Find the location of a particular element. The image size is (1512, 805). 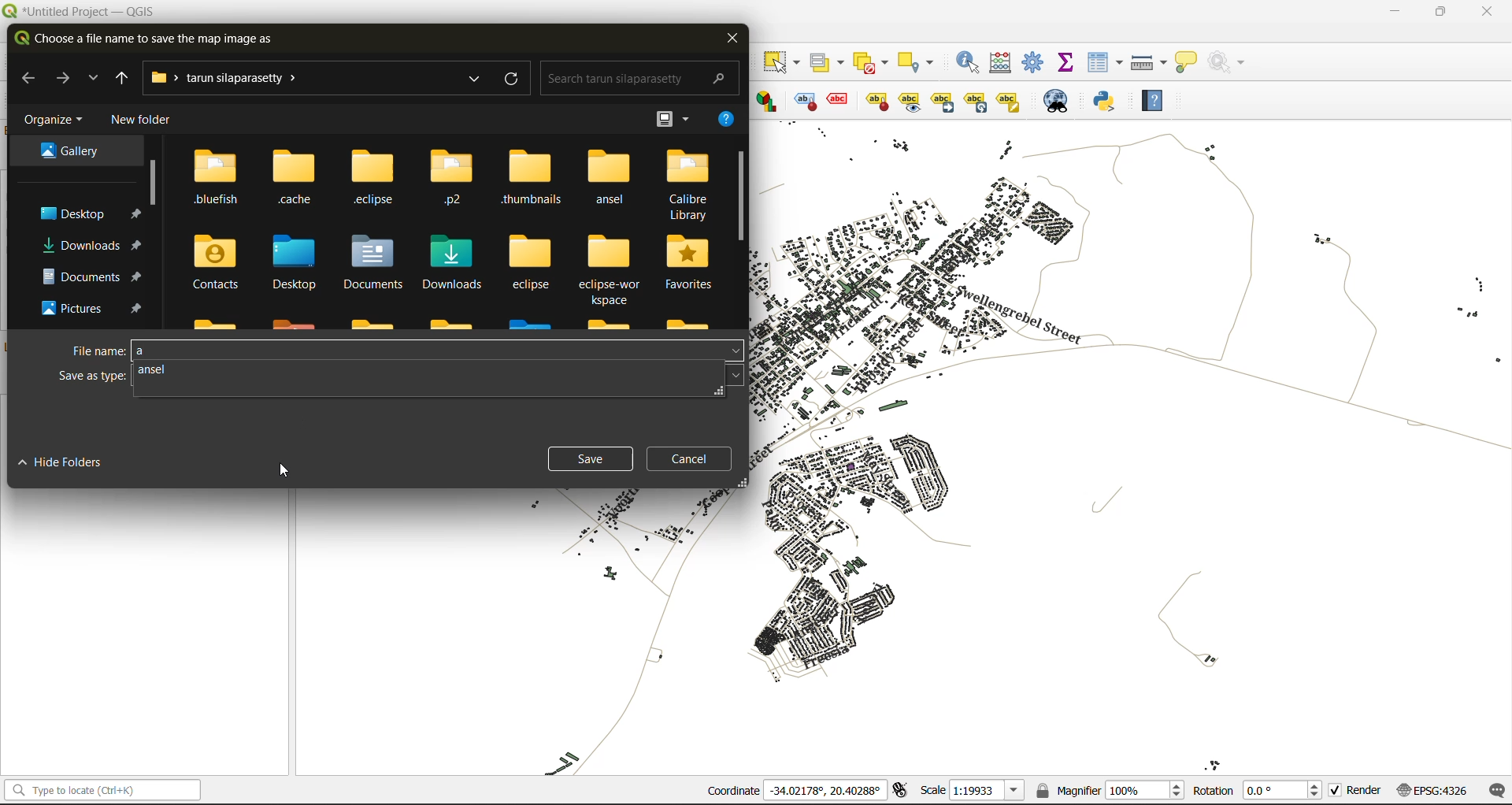

cursor is located at coordinates (282, 471).